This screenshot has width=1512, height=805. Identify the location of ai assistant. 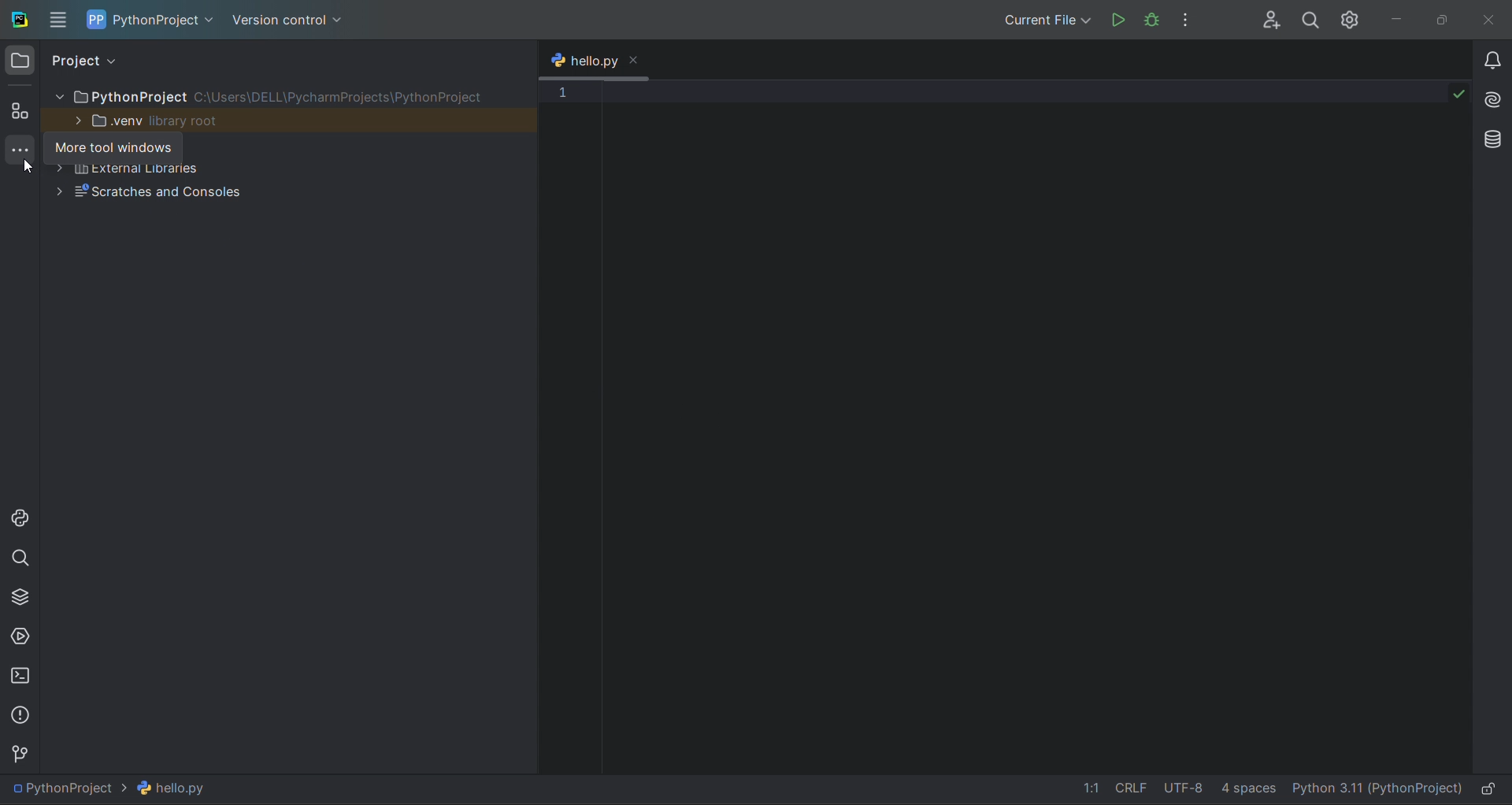
(1495, 103).